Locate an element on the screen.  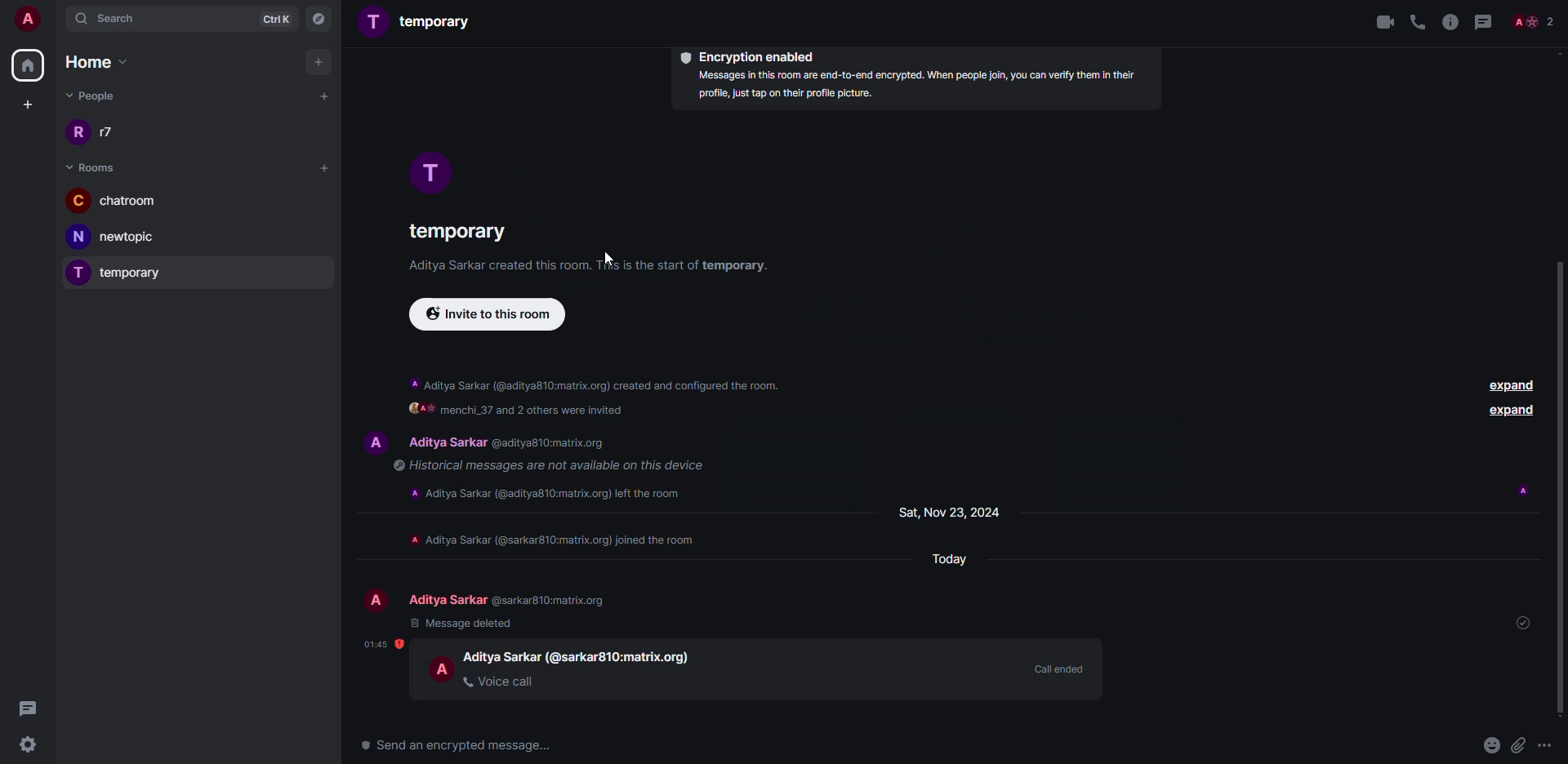
threads is located at coordinates (27, 708).